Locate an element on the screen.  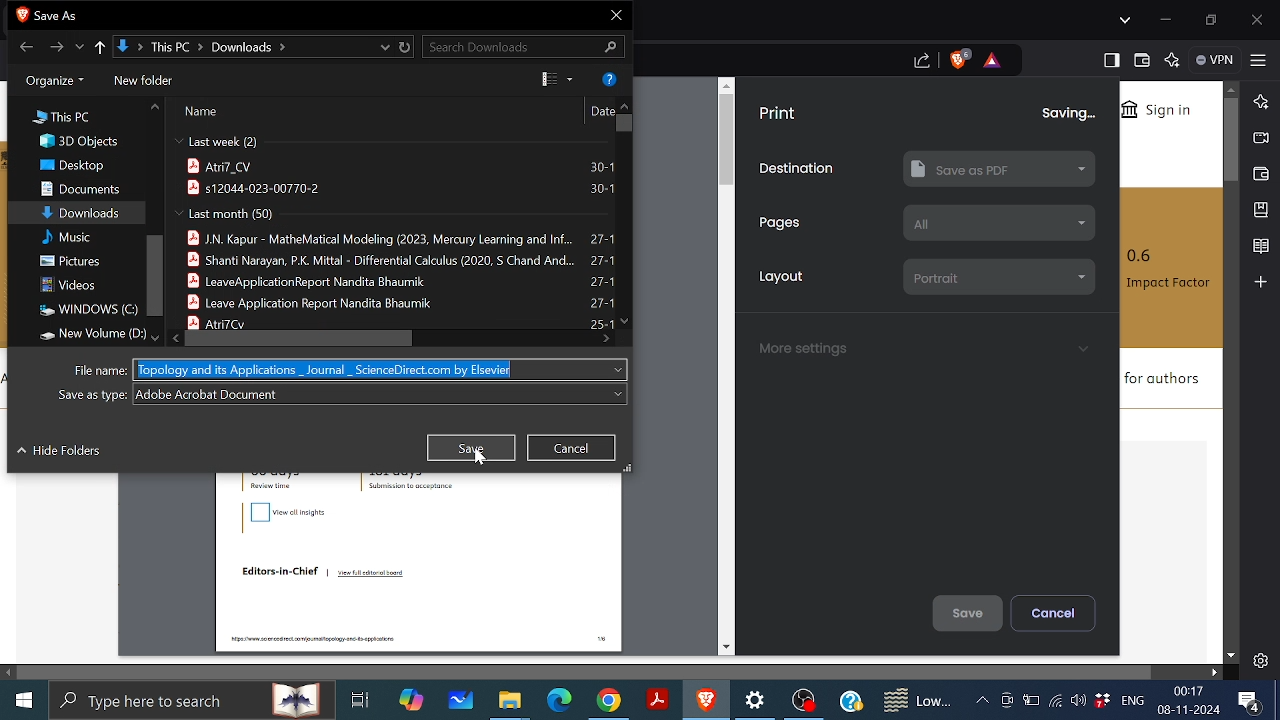
Move right is located at coordinates (1213, 672).